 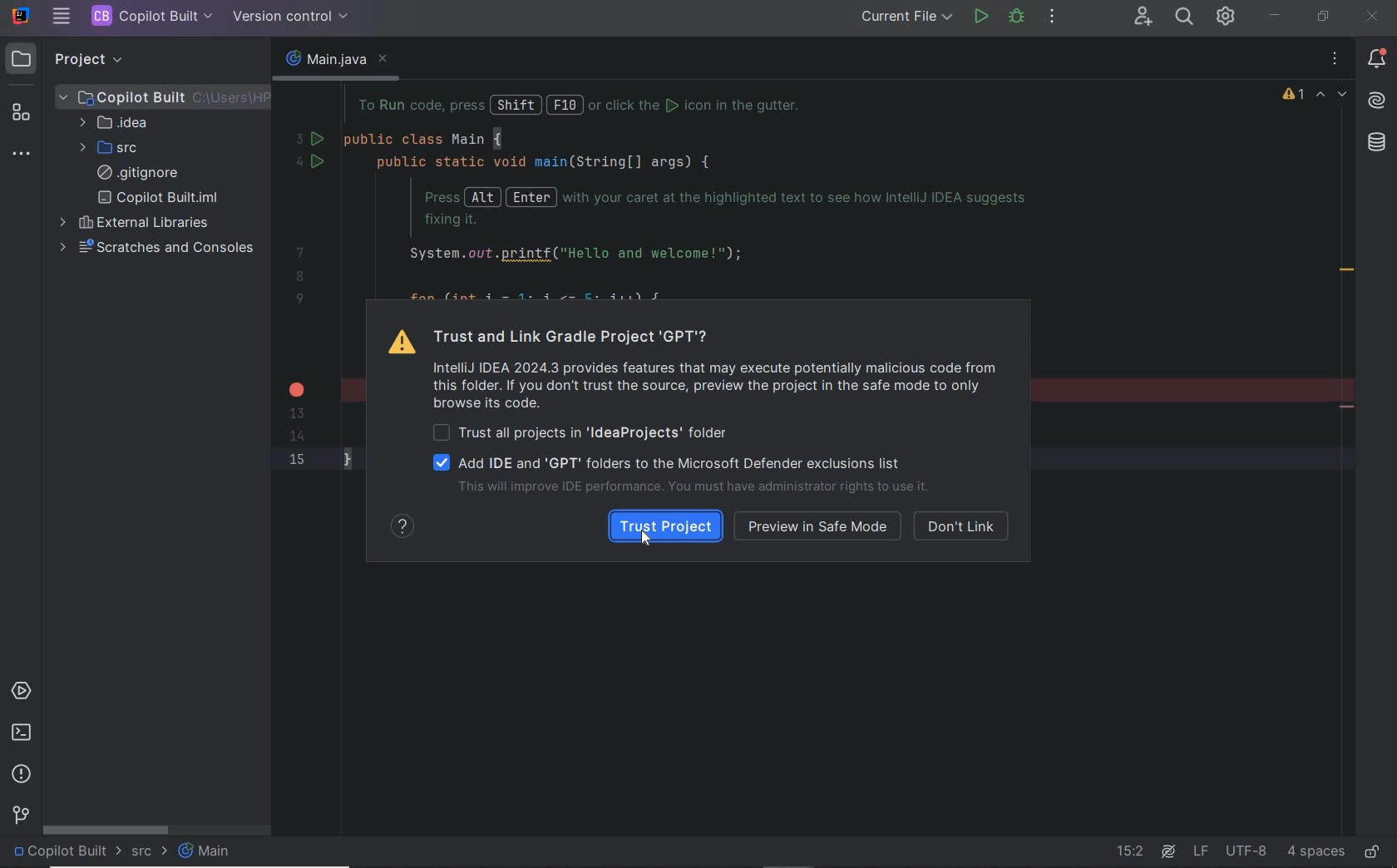 What do you see at coordinates (1167, 851) in the screenshot?
I see `AI Assistant` at bounding box center [1167, 851].